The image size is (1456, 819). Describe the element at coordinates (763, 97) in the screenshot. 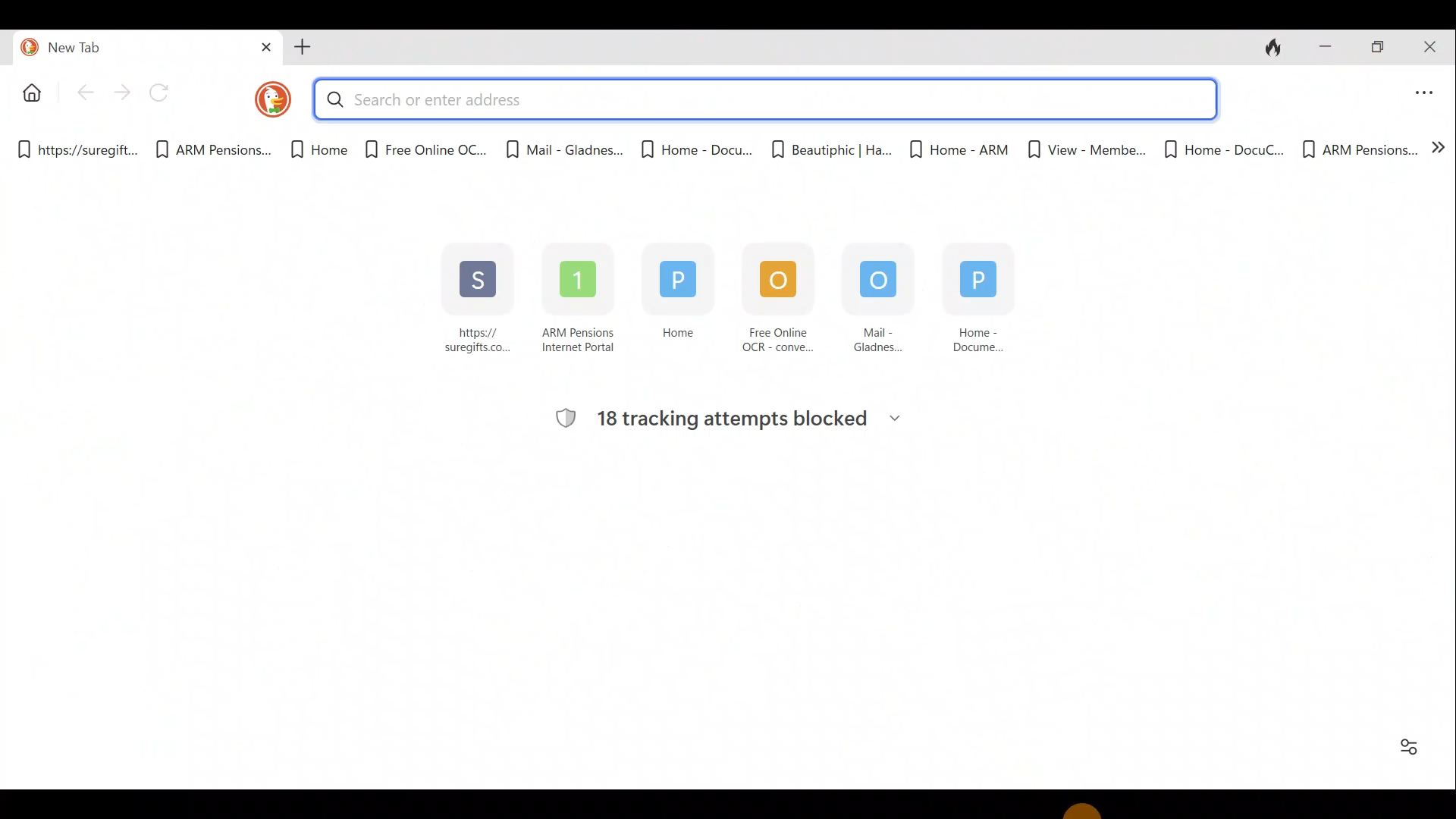

I see `Search or enter address` at that location.